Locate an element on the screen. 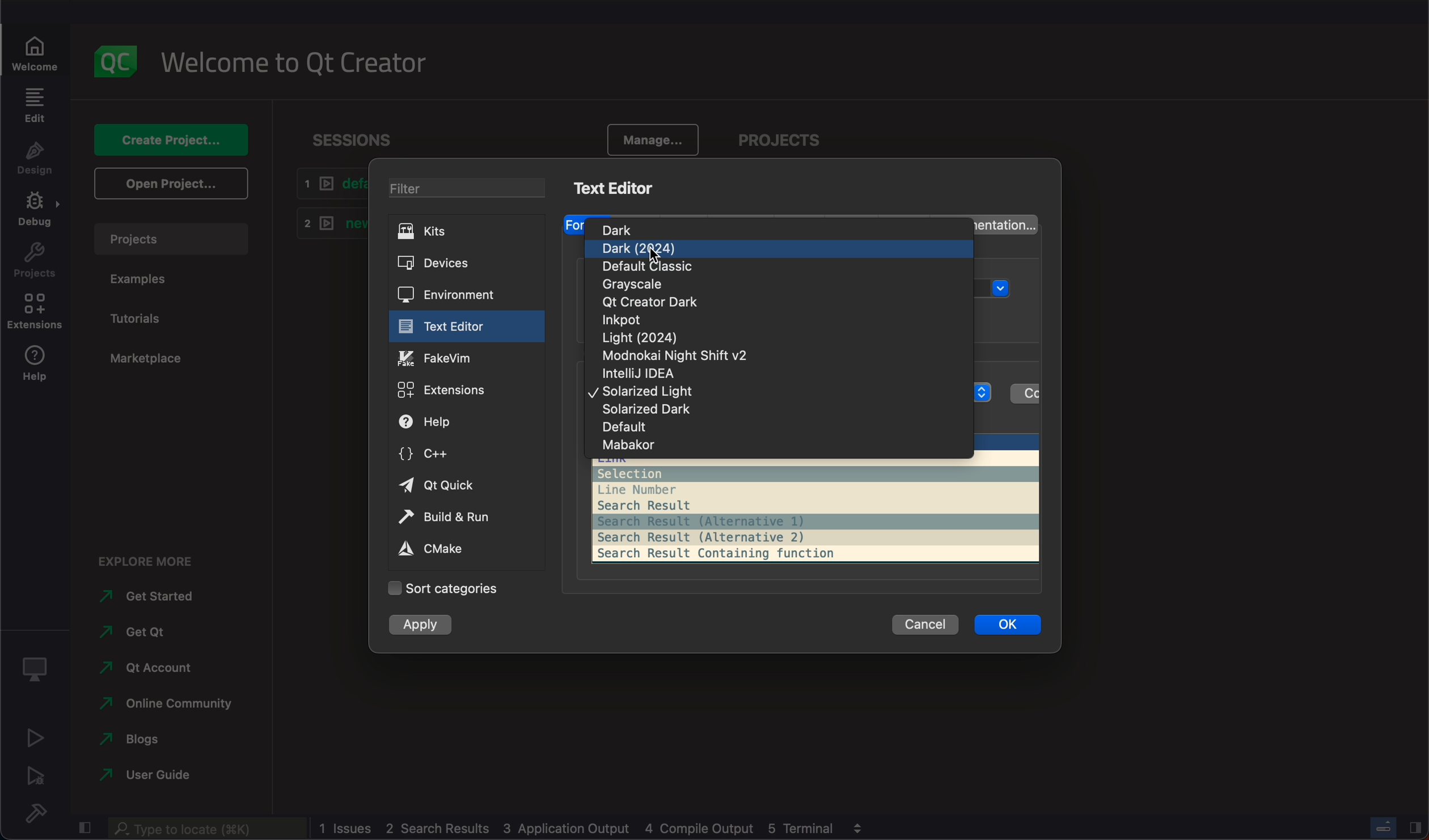 The image size is (1429, 840). account is located at coordinates (150, 669).